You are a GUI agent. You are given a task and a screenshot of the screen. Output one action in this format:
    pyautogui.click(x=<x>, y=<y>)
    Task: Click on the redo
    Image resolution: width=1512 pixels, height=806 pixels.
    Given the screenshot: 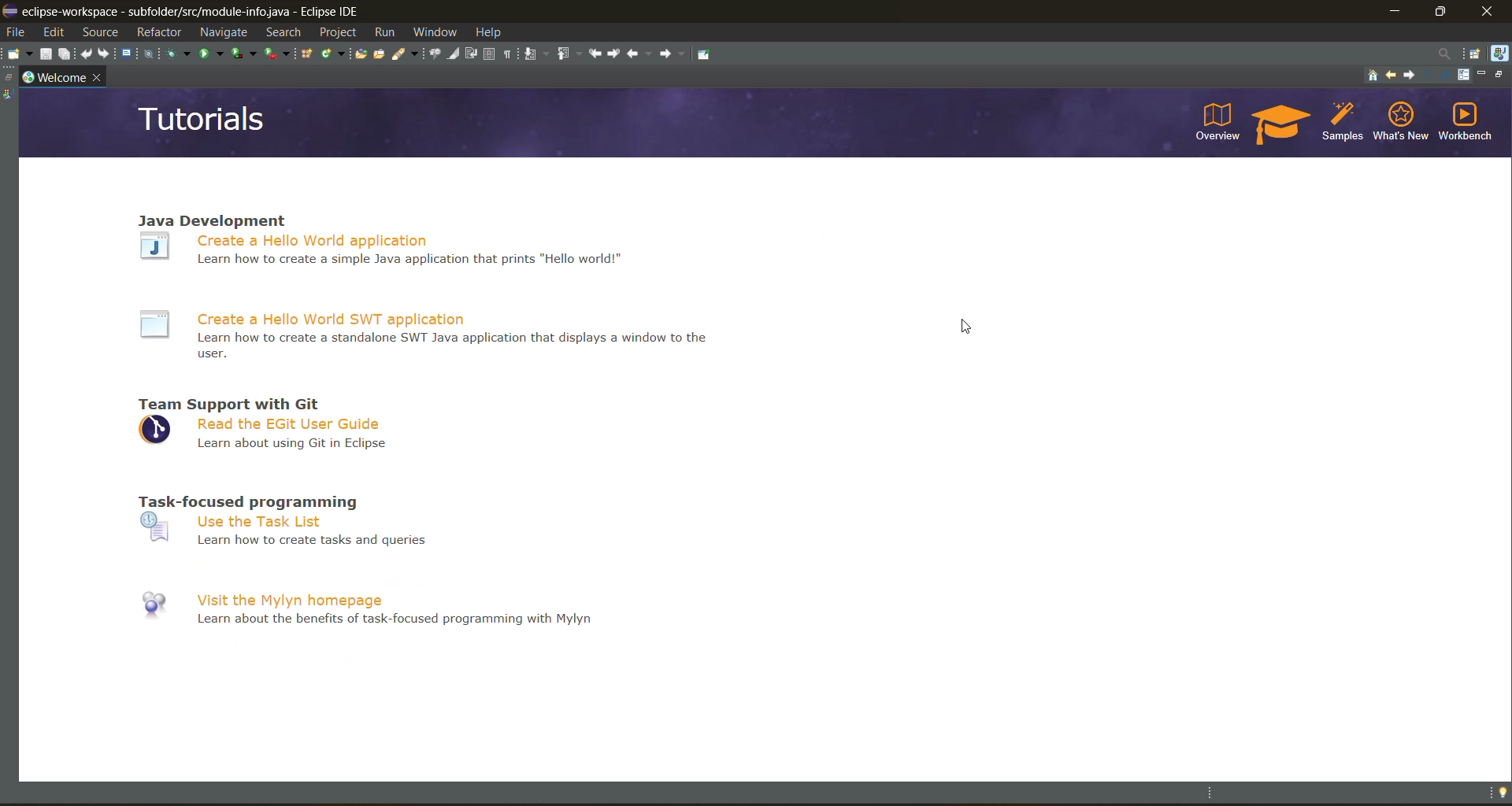 What is the action you would take?
    pyautogui.click(x=107, y=53)
    